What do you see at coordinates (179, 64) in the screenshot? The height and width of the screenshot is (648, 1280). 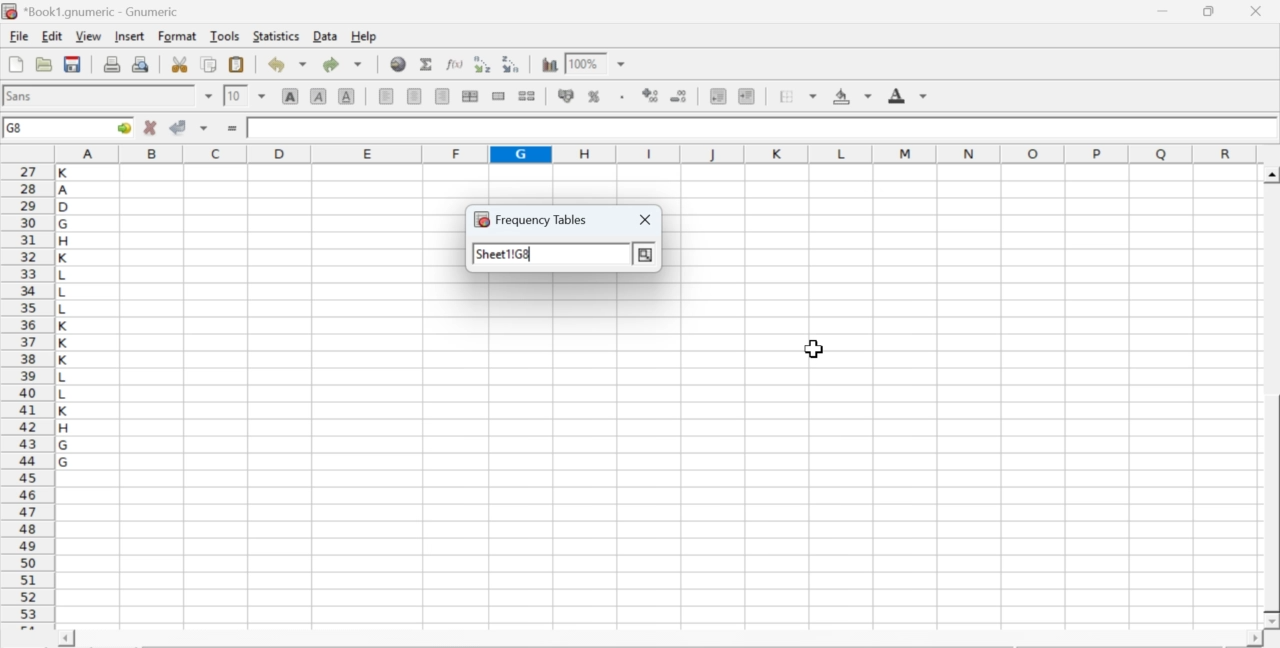 I see `cut` at bounding box center [179, 64].